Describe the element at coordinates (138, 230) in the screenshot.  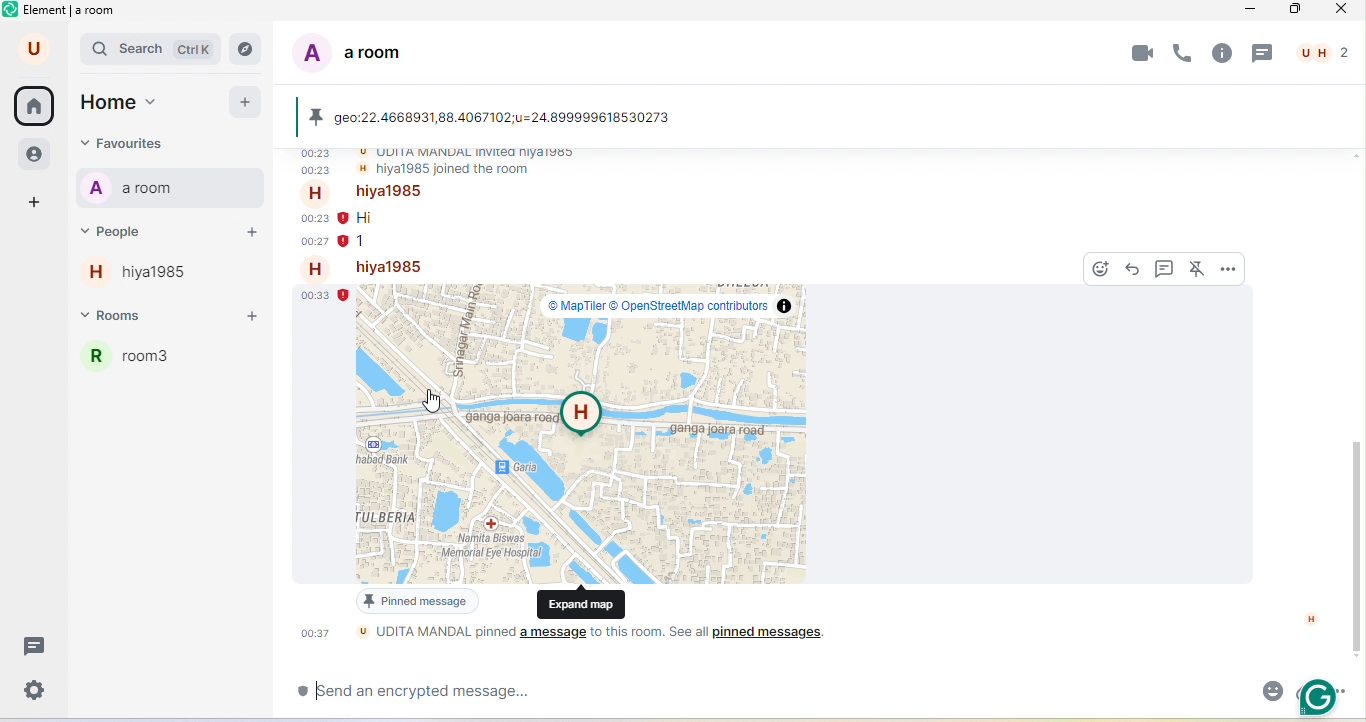
I see `people` at that location.